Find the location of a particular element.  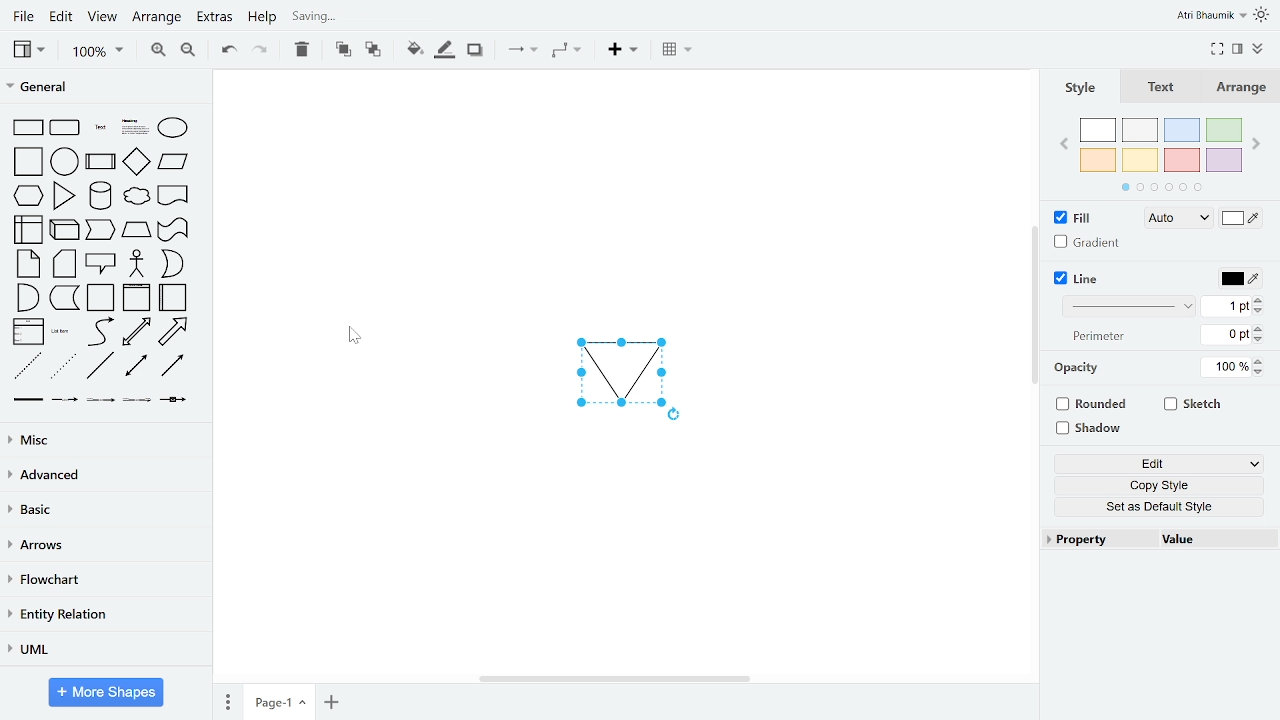

rotate diagram is located at coordinates (679, 417).